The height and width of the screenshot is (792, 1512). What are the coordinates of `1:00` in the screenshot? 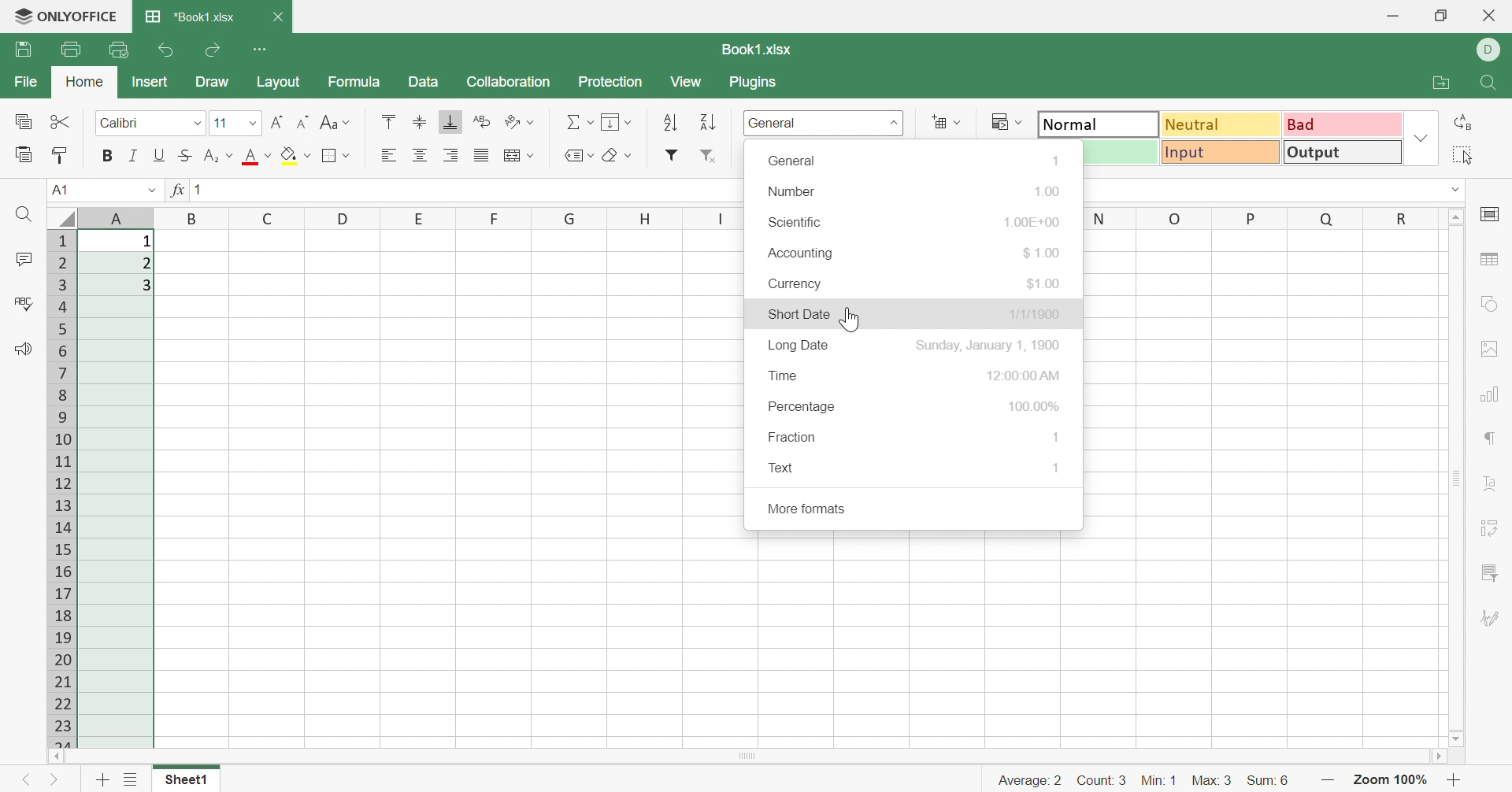 It's located at (1047, 189).